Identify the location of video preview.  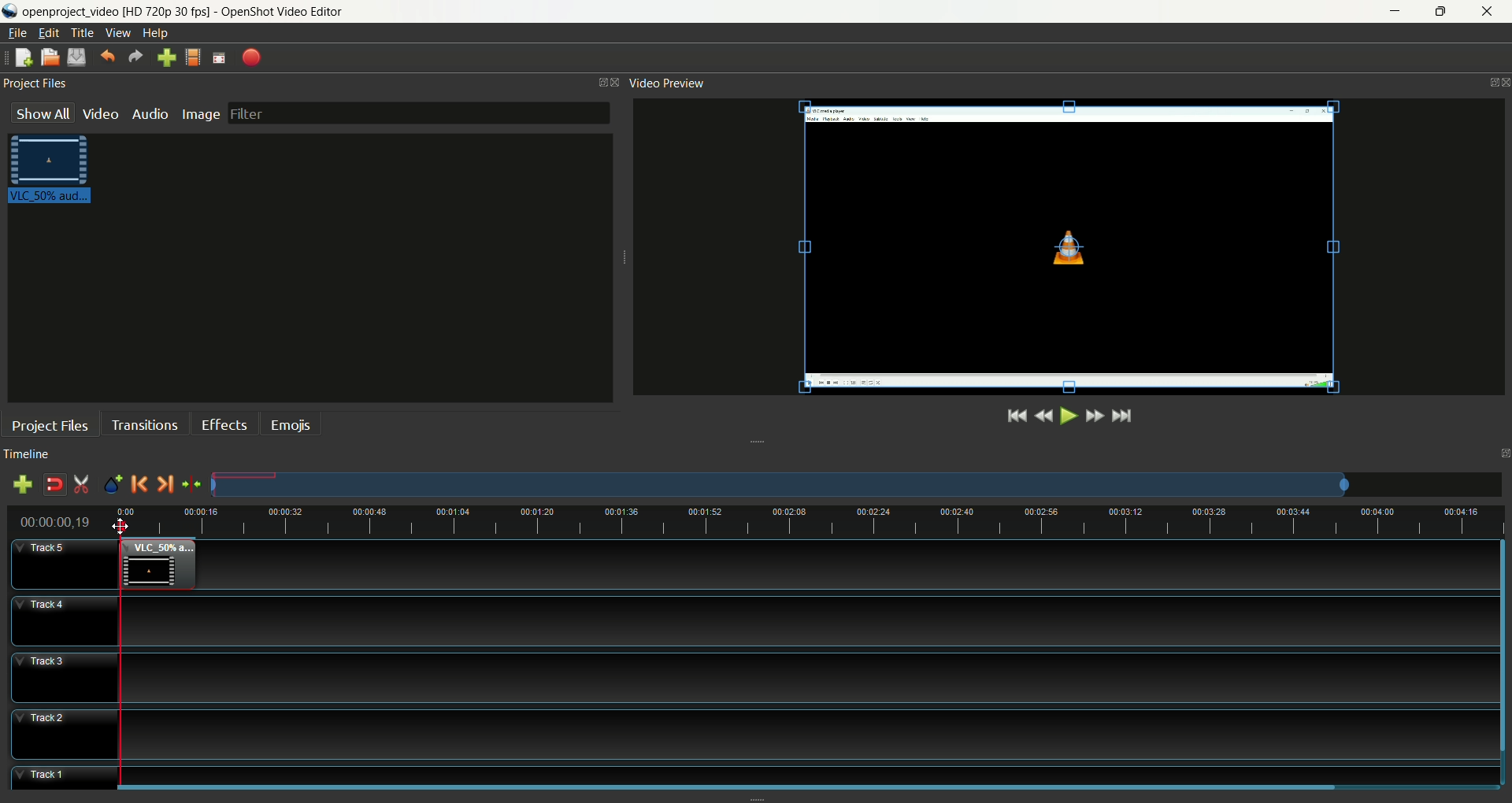
(665, 83).